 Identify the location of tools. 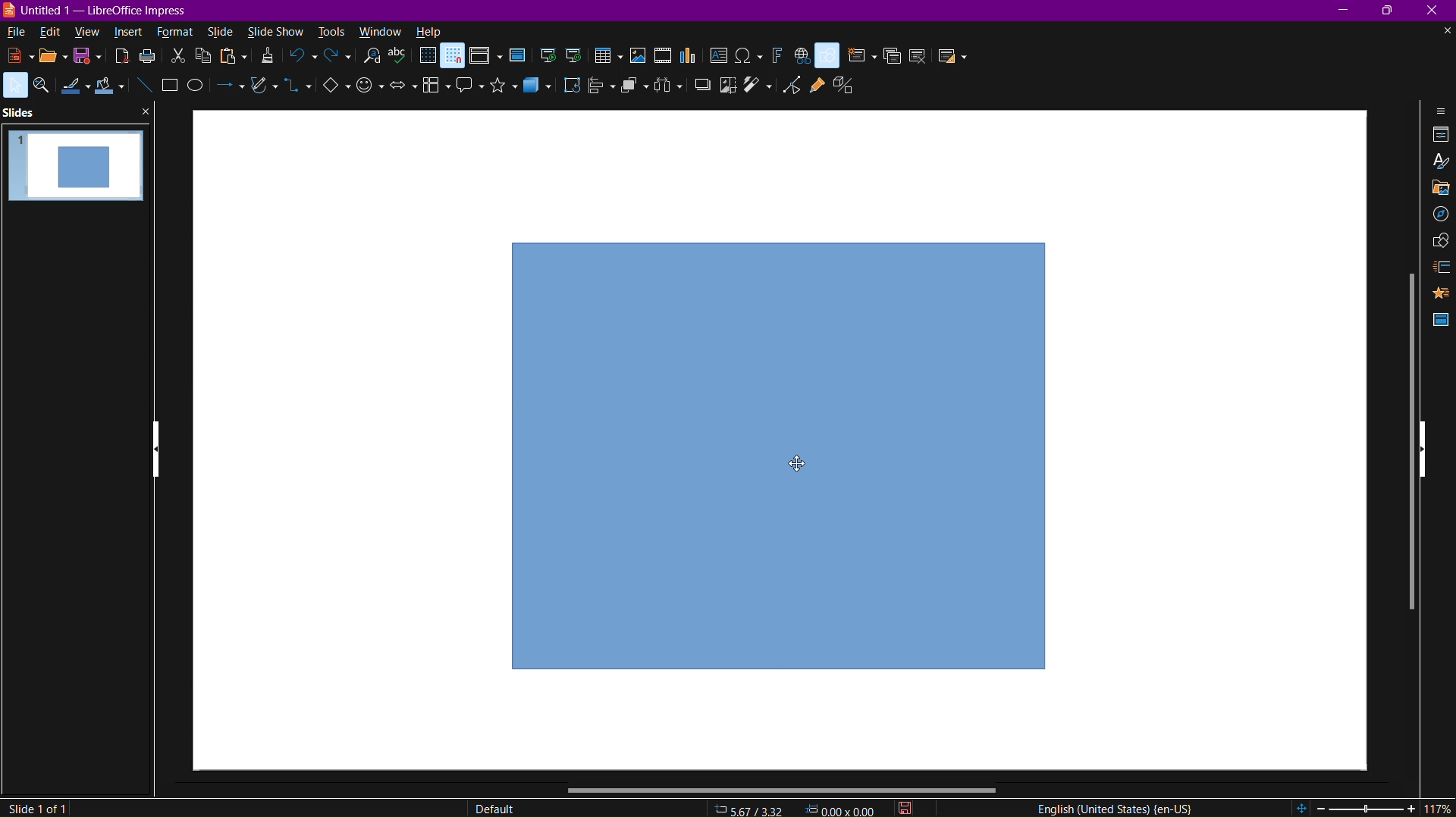
(329, 31).